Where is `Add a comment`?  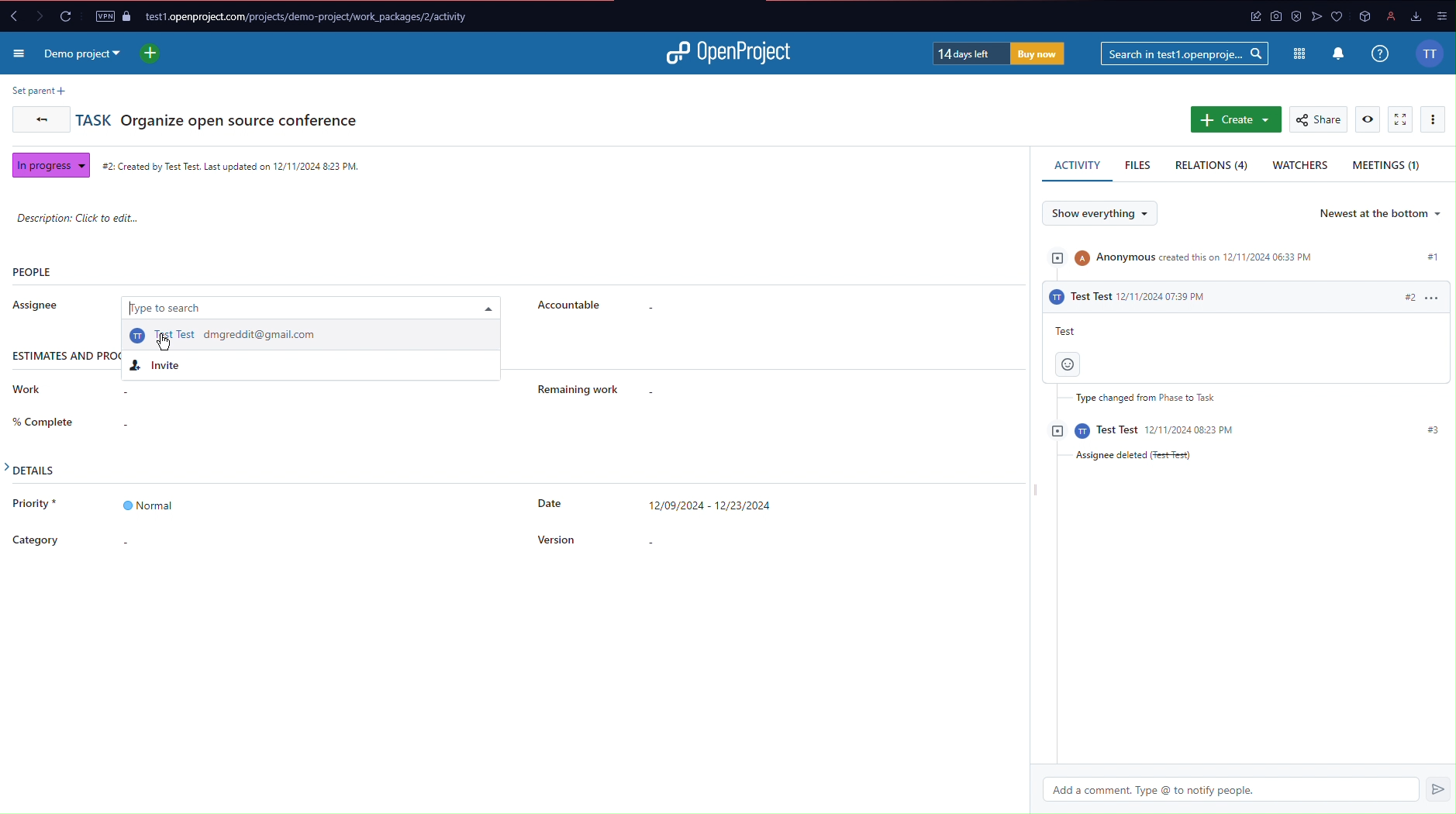 Add a comment is located at coordinates (1252, 789).